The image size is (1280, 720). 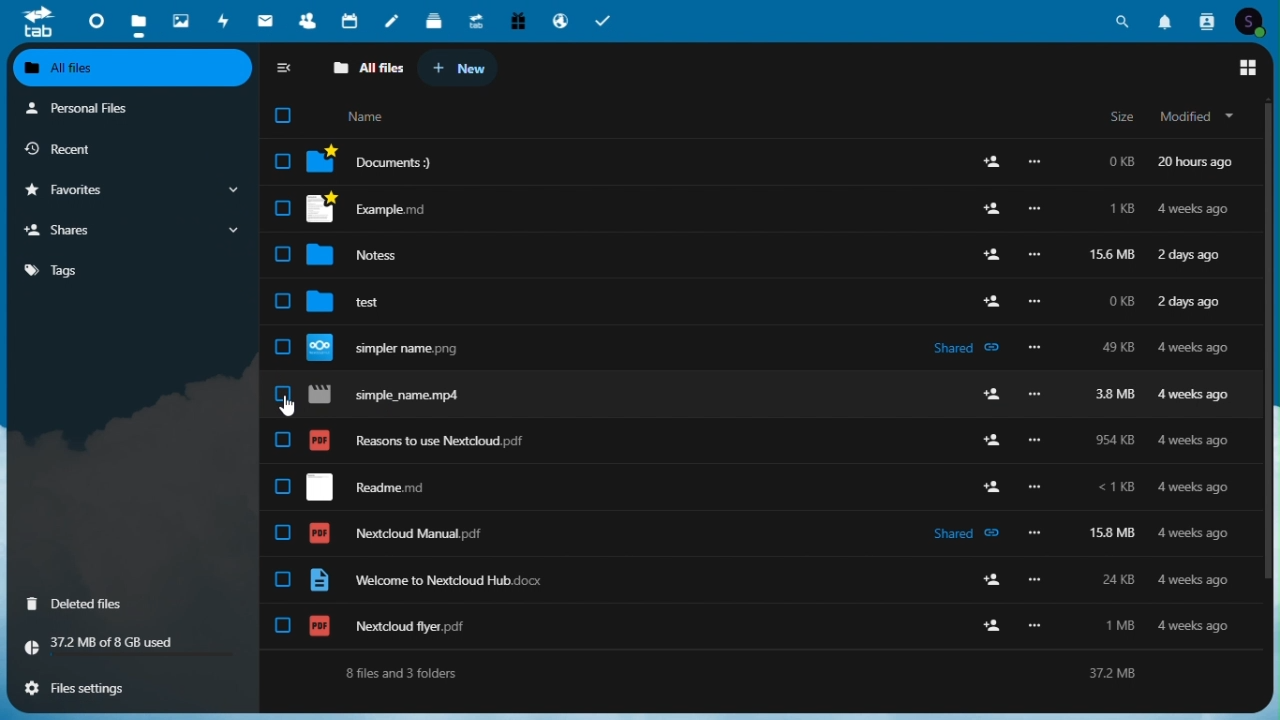 What do you see at coordinates (456, 69) in the screenshot?
I see `new` at bounding box center [456, 69].